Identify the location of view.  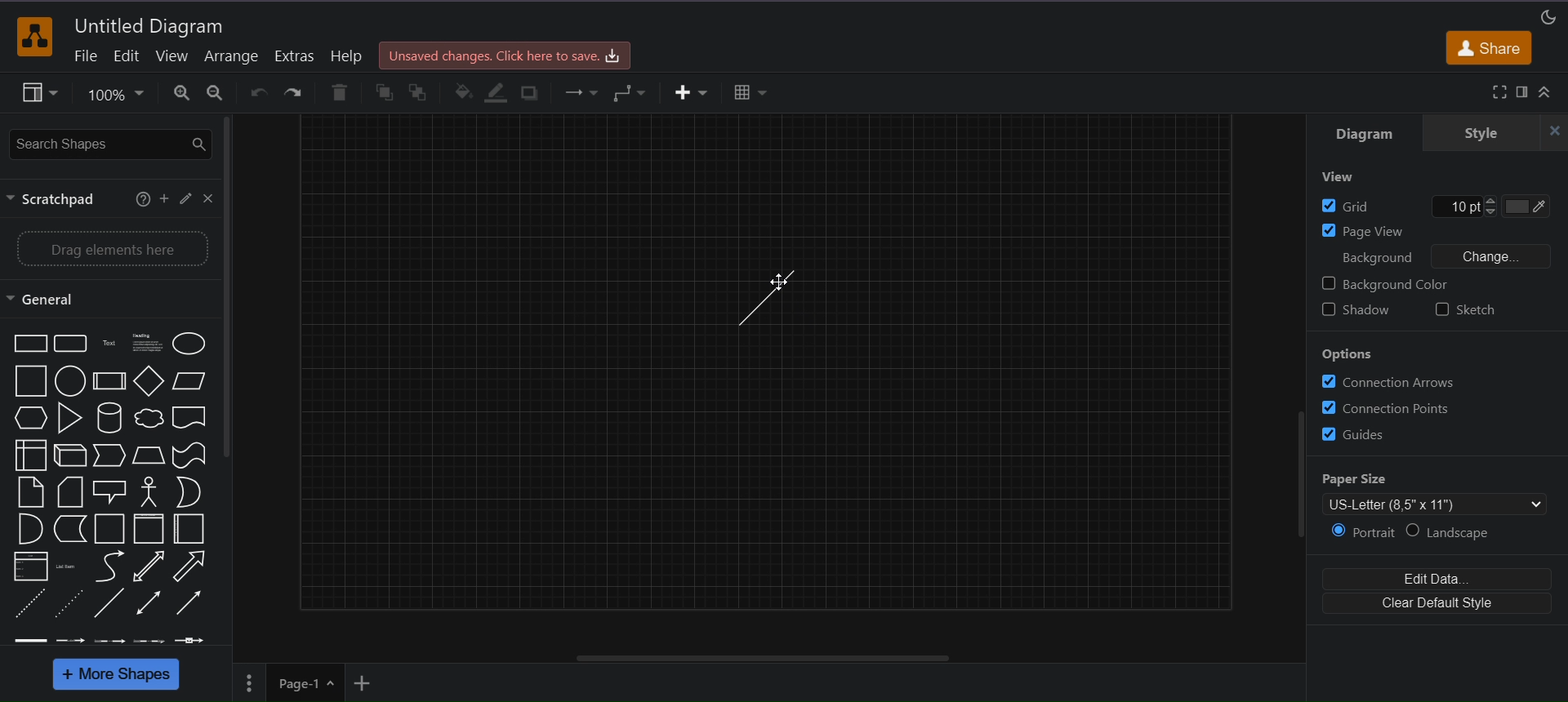
(1339, 178).